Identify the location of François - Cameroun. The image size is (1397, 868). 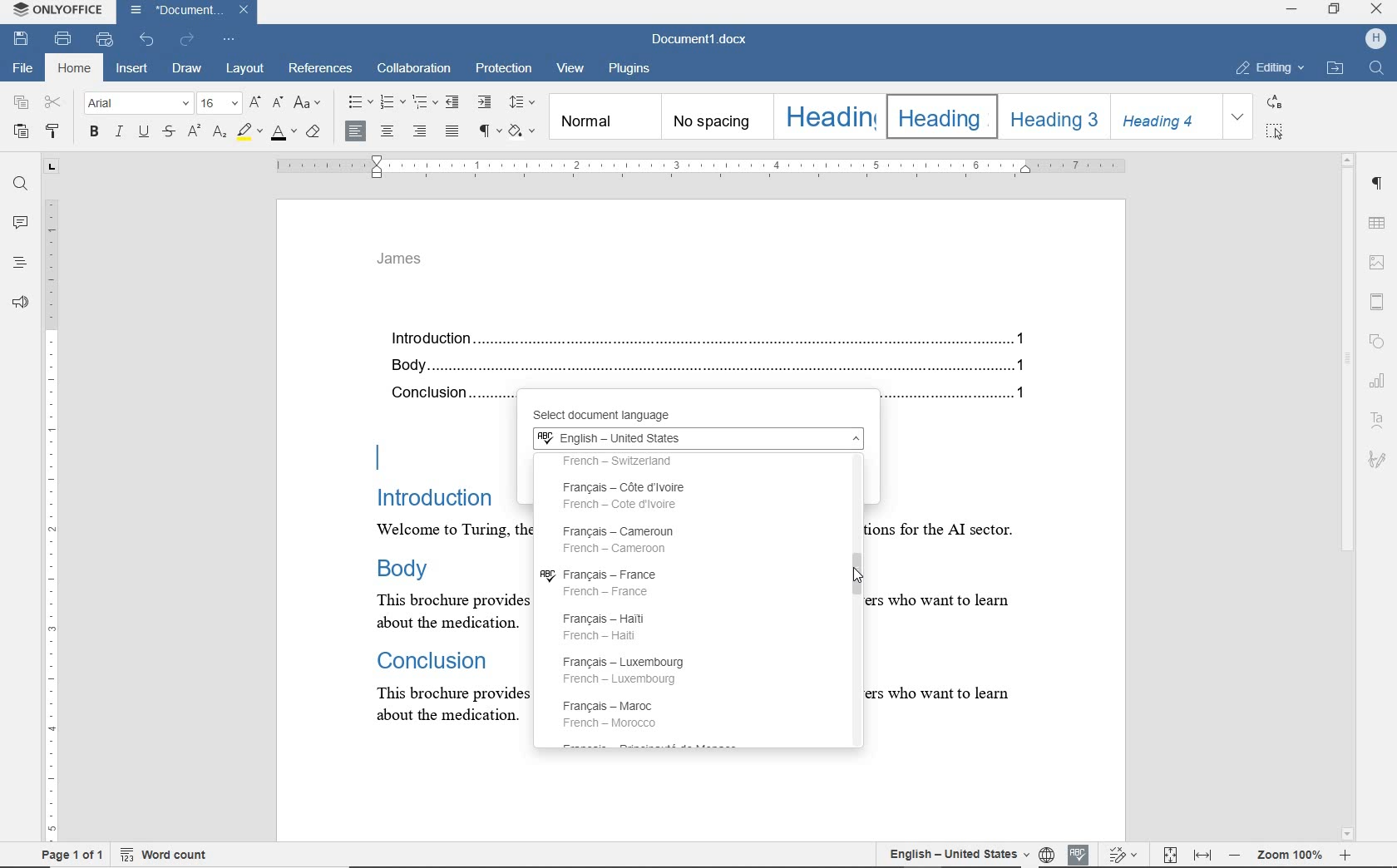
(620, 539).